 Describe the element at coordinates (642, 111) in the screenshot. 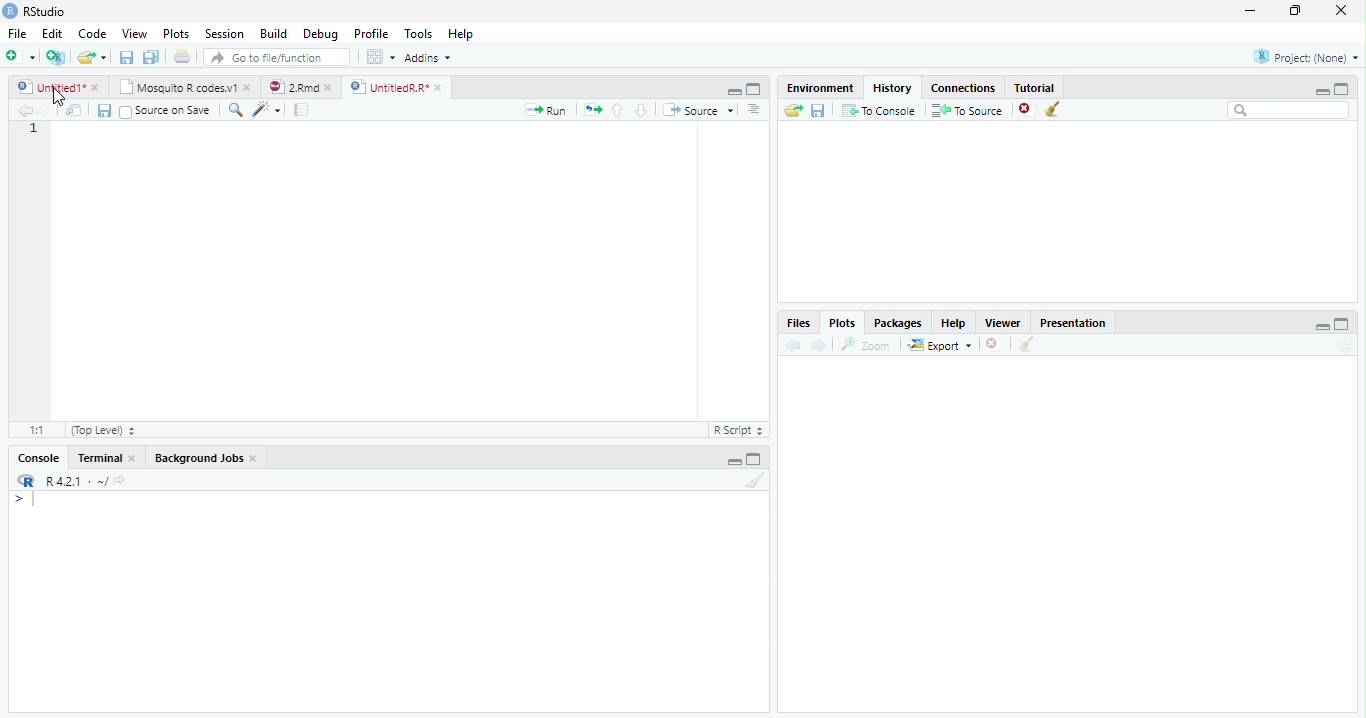

I see `Go to next section ` at that location.